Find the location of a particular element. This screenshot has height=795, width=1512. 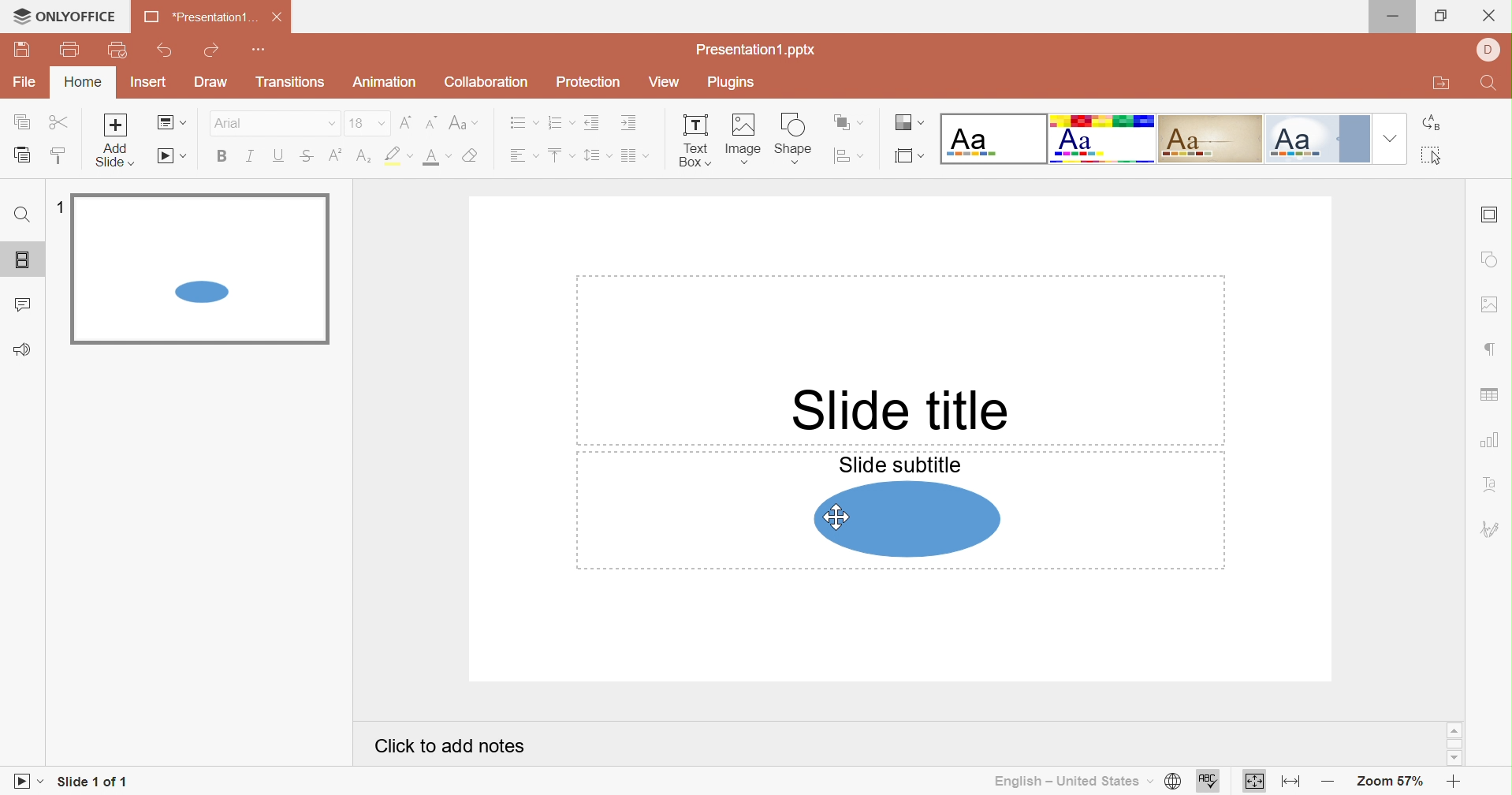

Chart settings is located at coordinates (1488, 439).